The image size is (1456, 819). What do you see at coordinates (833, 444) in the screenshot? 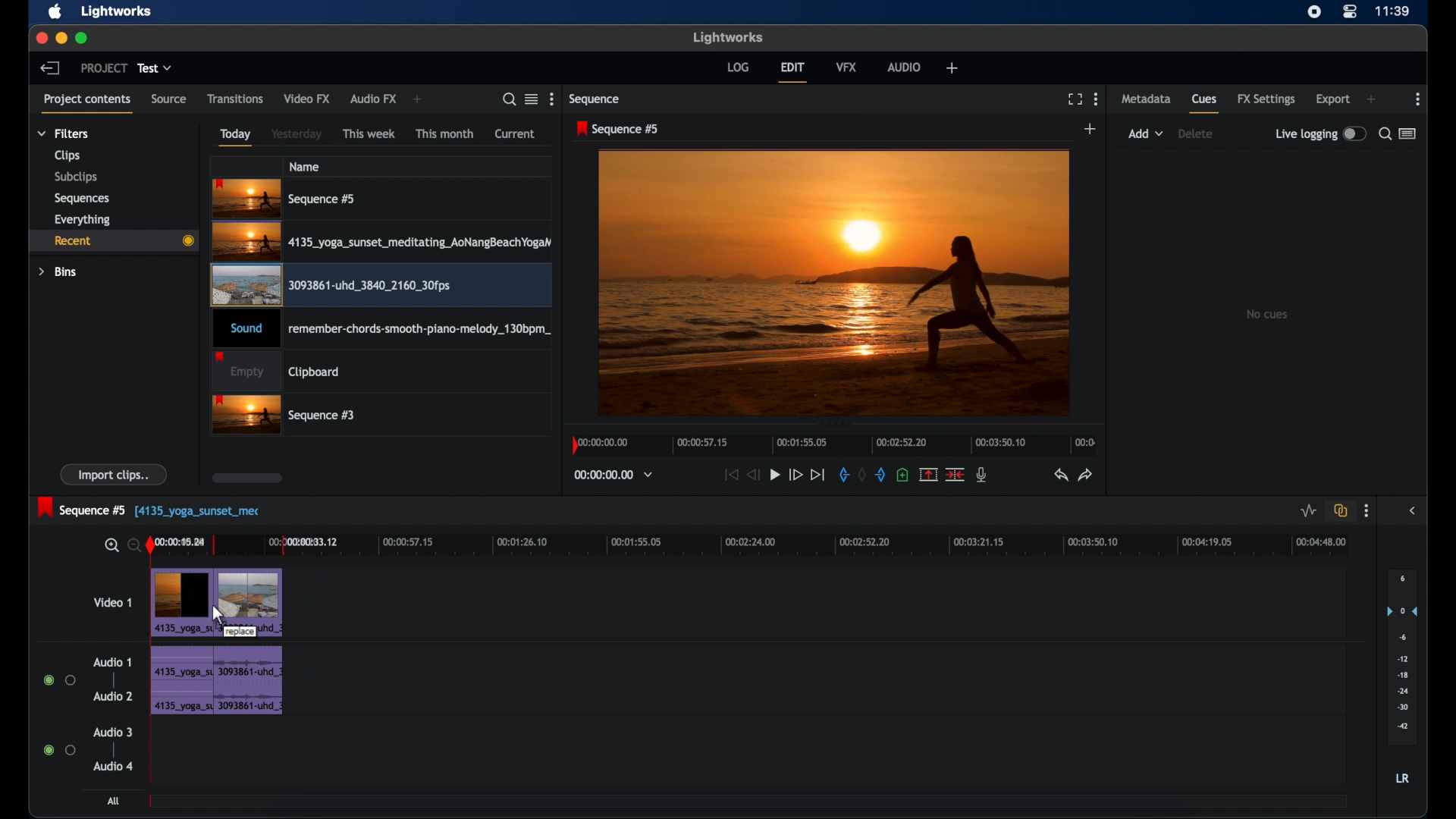
I see `timeline scale` at bounding box center [833, 444].